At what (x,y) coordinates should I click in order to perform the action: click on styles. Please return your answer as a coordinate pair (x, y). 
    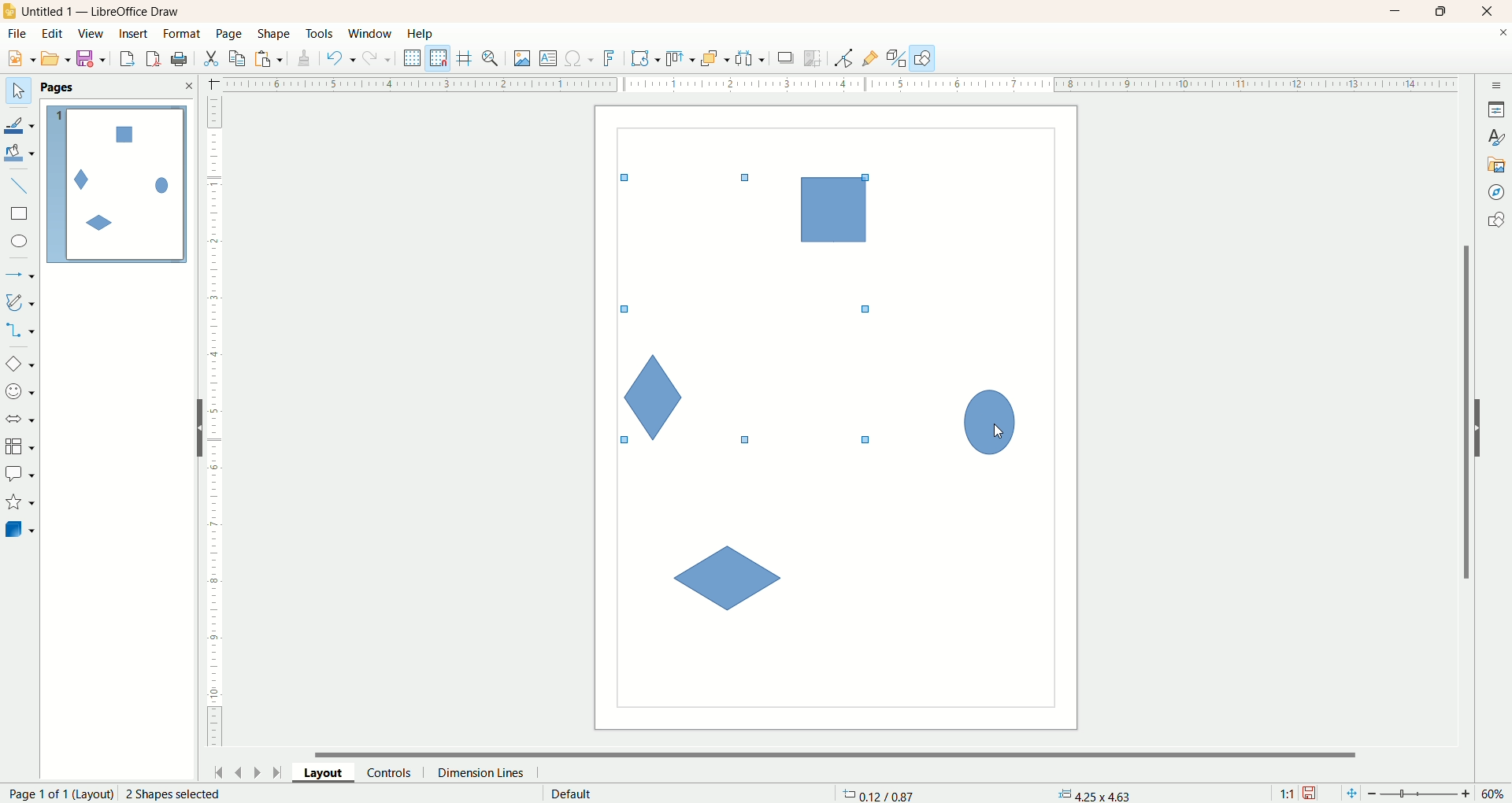
    Looking at the image, I should click on (1496, 135).